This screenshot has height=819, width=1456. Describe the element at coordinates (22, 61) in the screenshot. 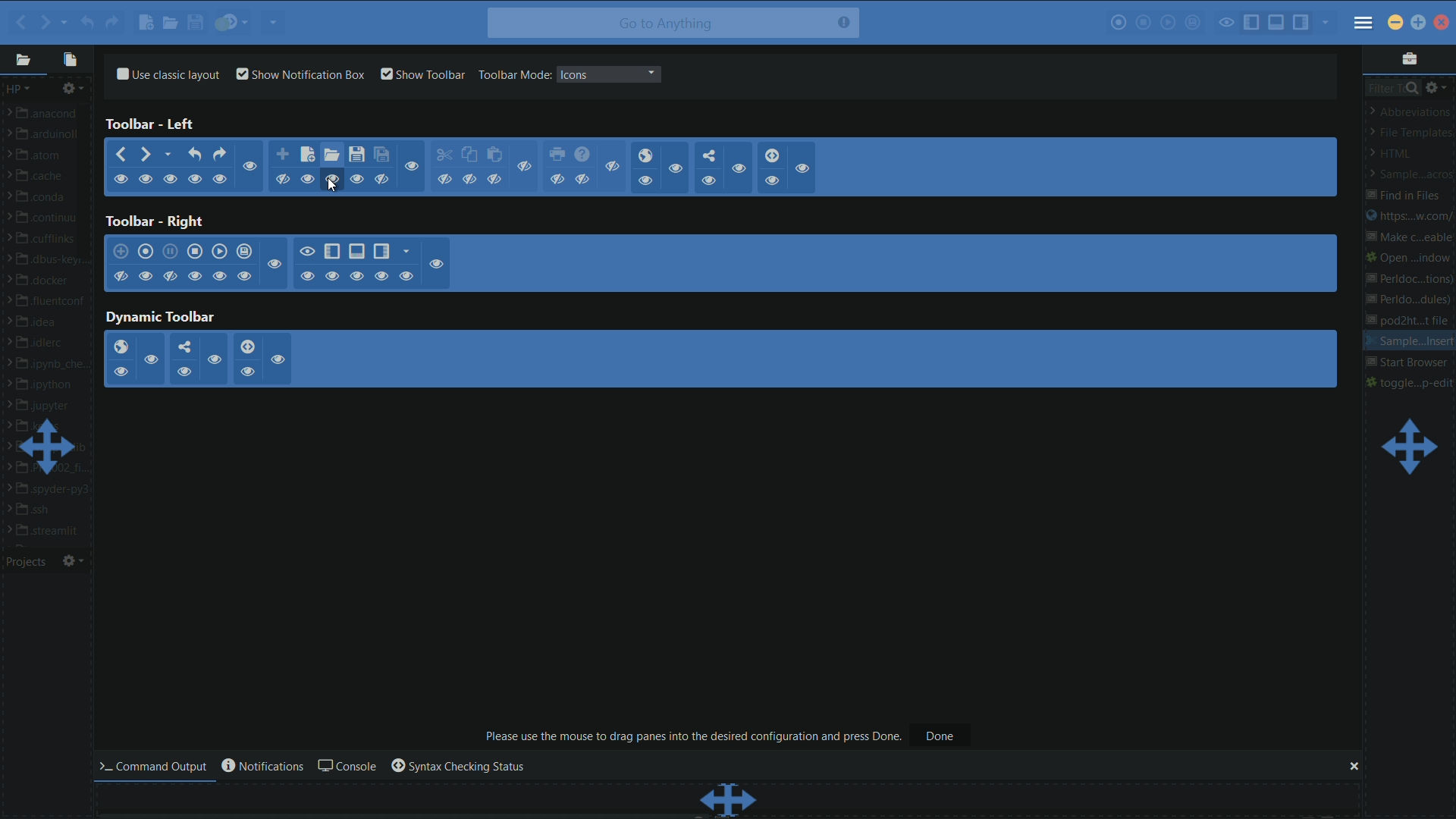

I see `places` at that location.